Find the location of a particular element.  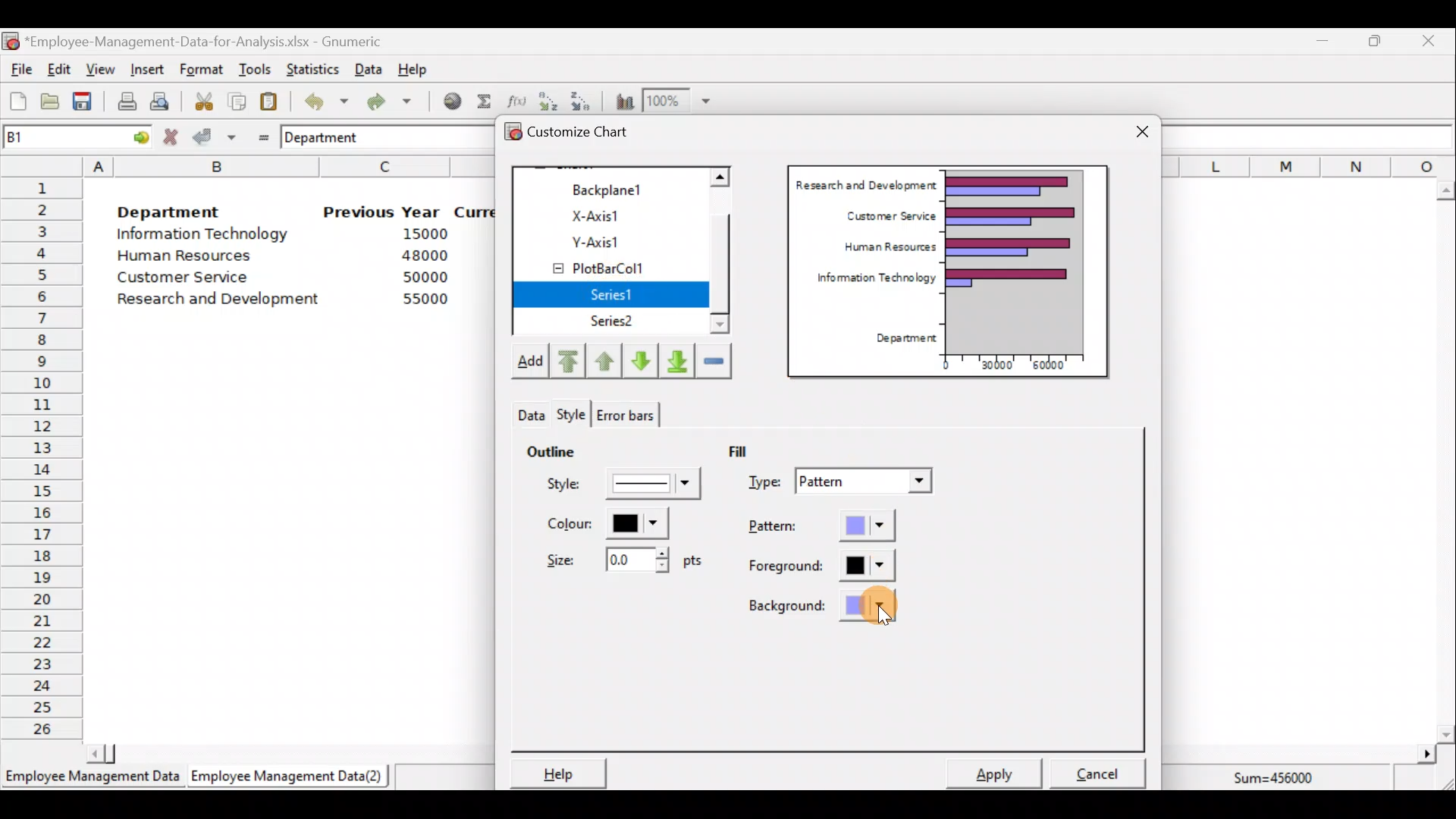

Scroll bar is located at coordinates (728, 253).